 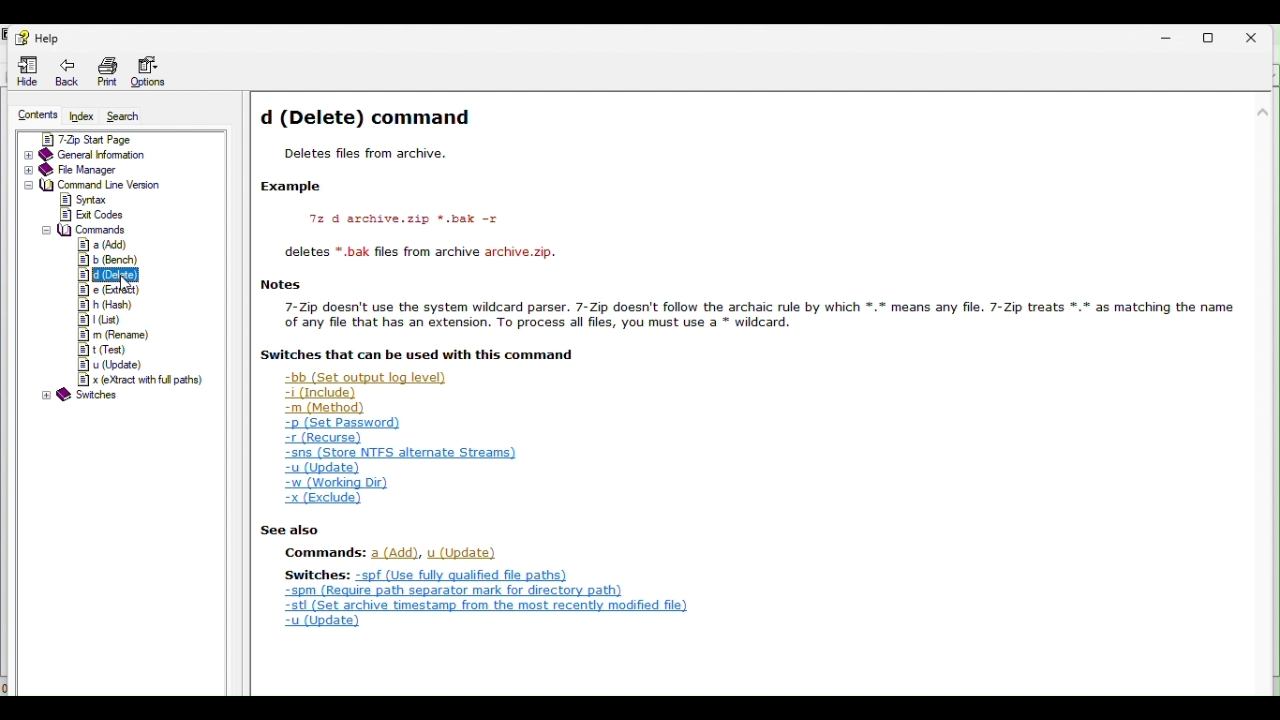 What do you see at coordinates (92, 216) in the screenshot?
I see `exit codes` at bounding box center [92, 216].